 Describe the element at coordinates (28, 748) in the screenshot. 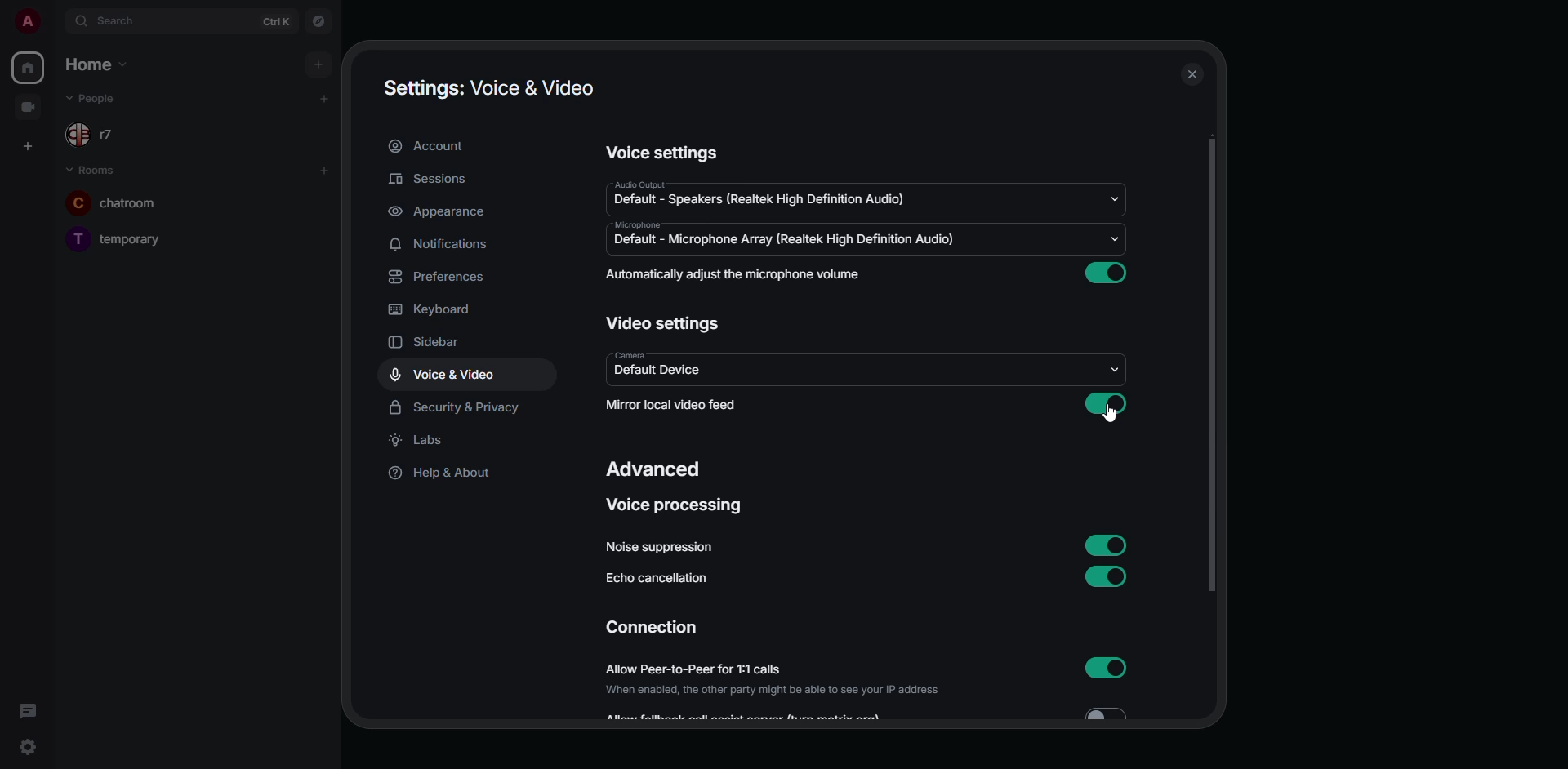

I see `quick settings` at that location.